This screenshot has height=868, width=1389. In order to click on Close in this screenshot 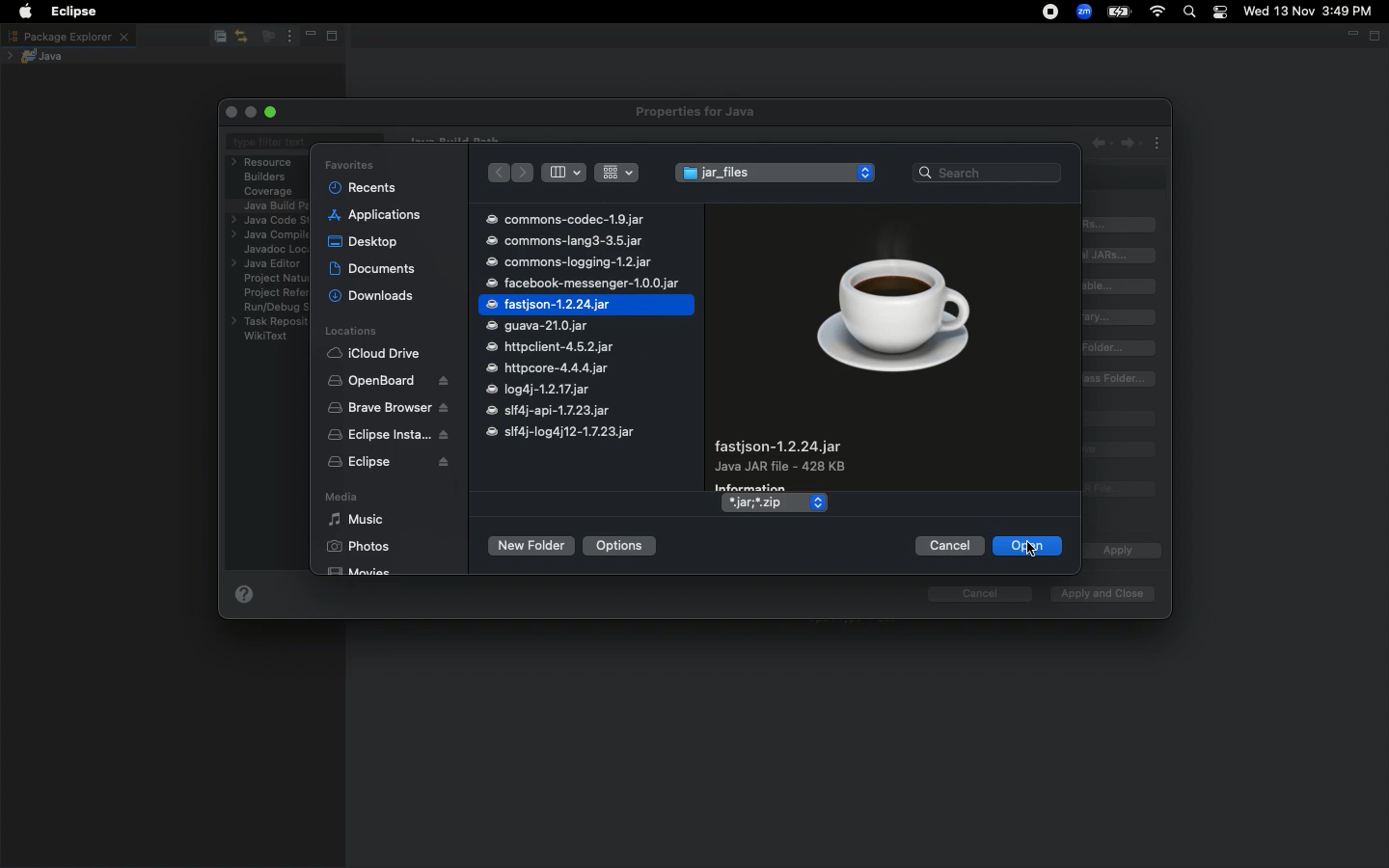, I will do `click(233, 112)`.